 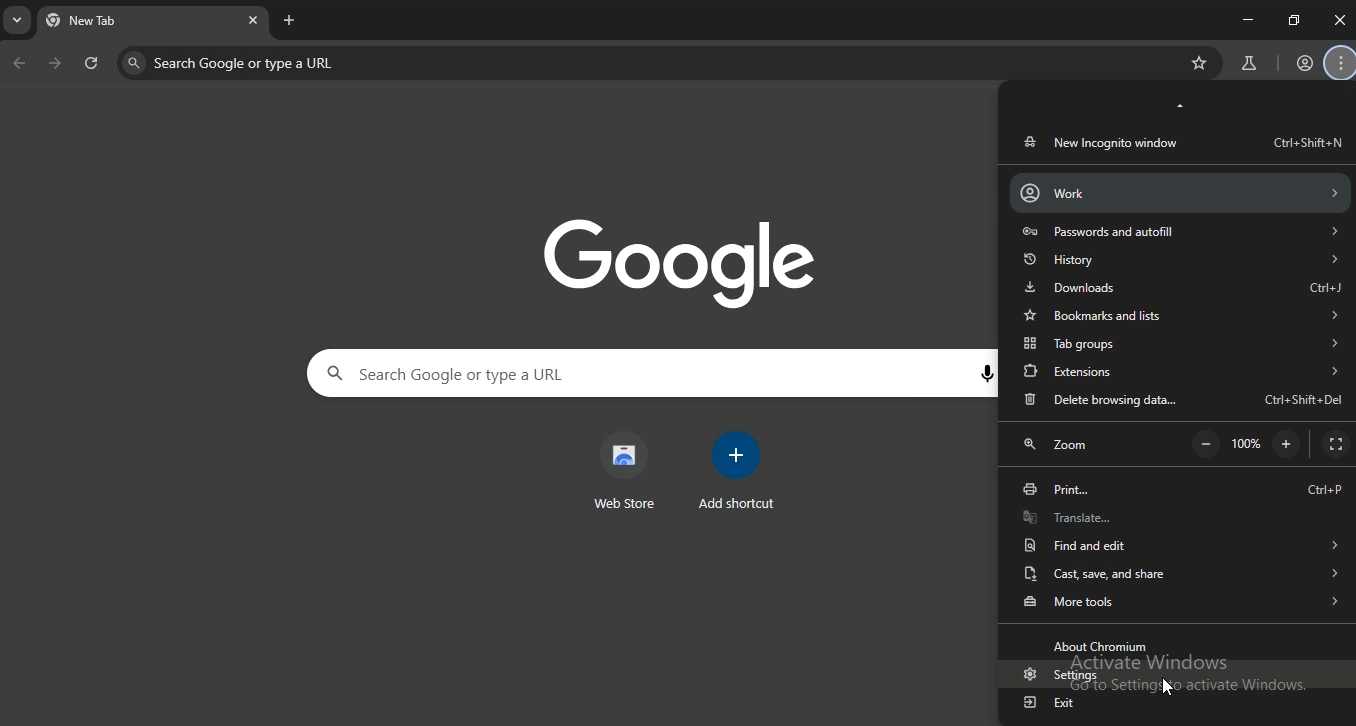 I want to click on search google or type a url, so click(x=534, y=374).